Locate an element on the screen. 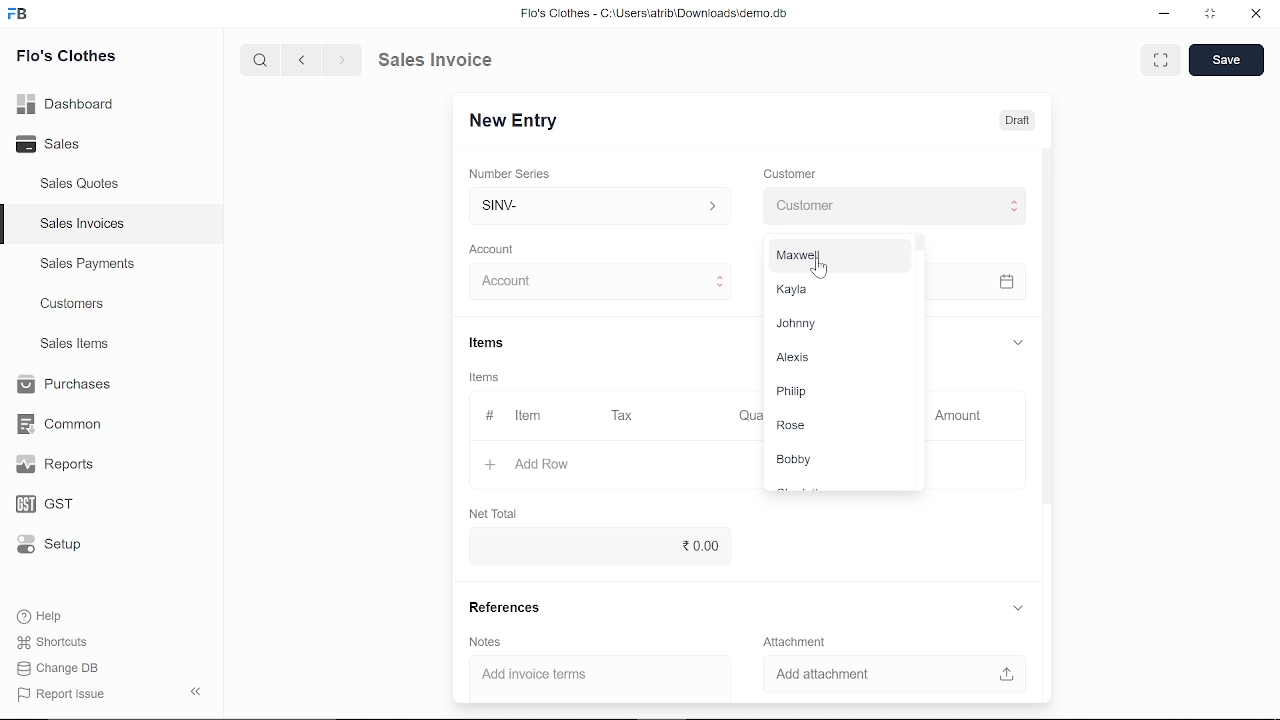  restore down is located at coordinates (1212, 15).